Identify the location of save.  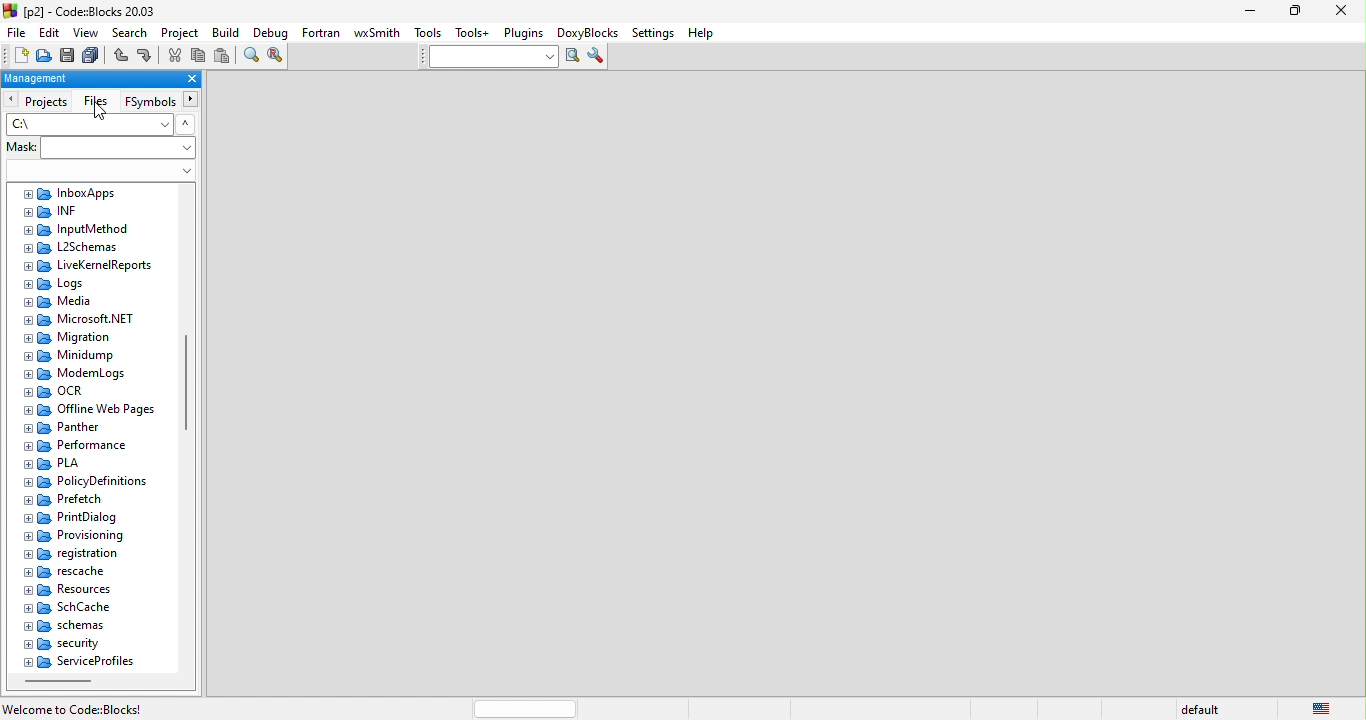
(69, 56).